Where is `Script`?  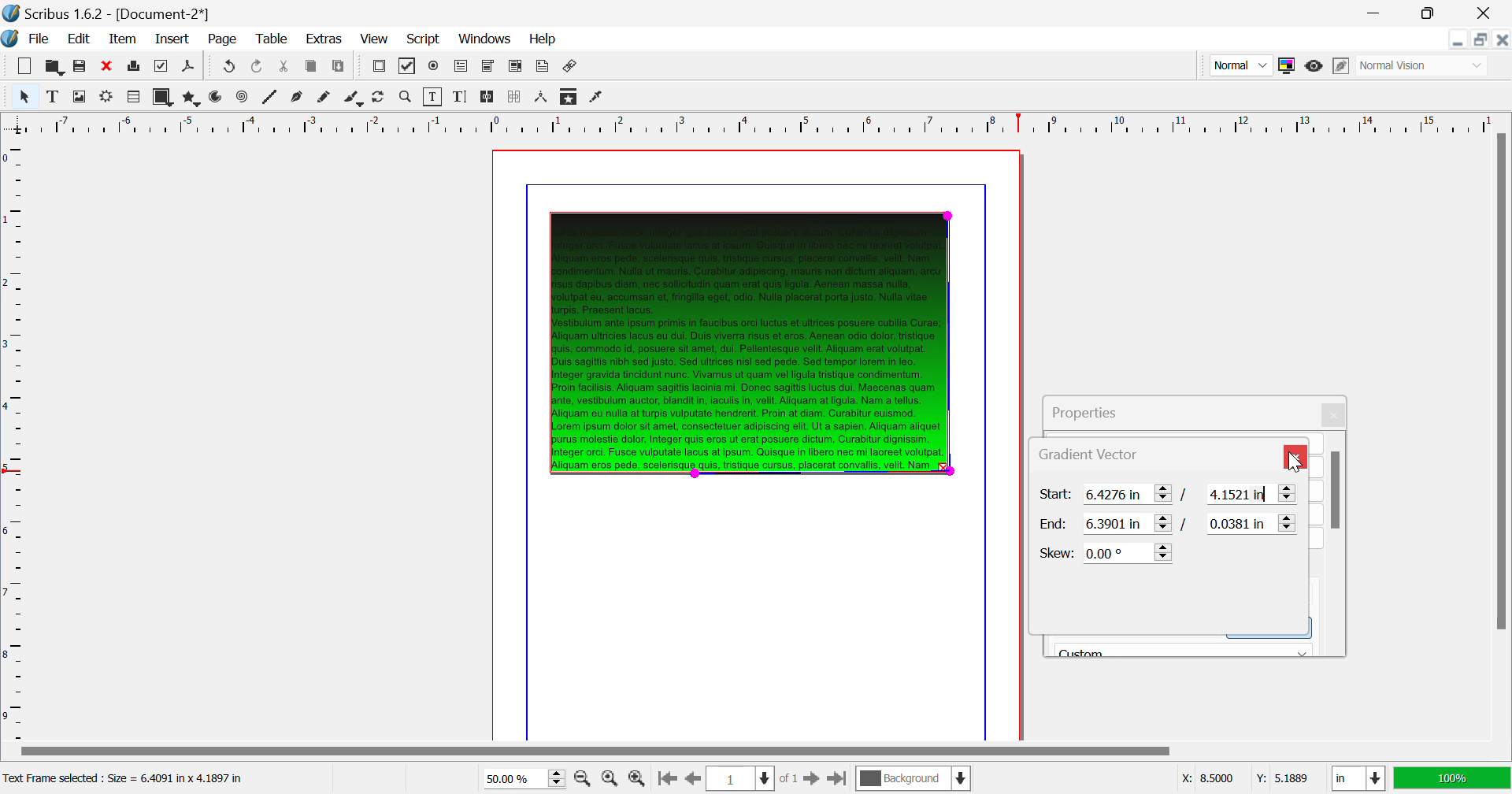
Script is located at coordinates (424, 38).